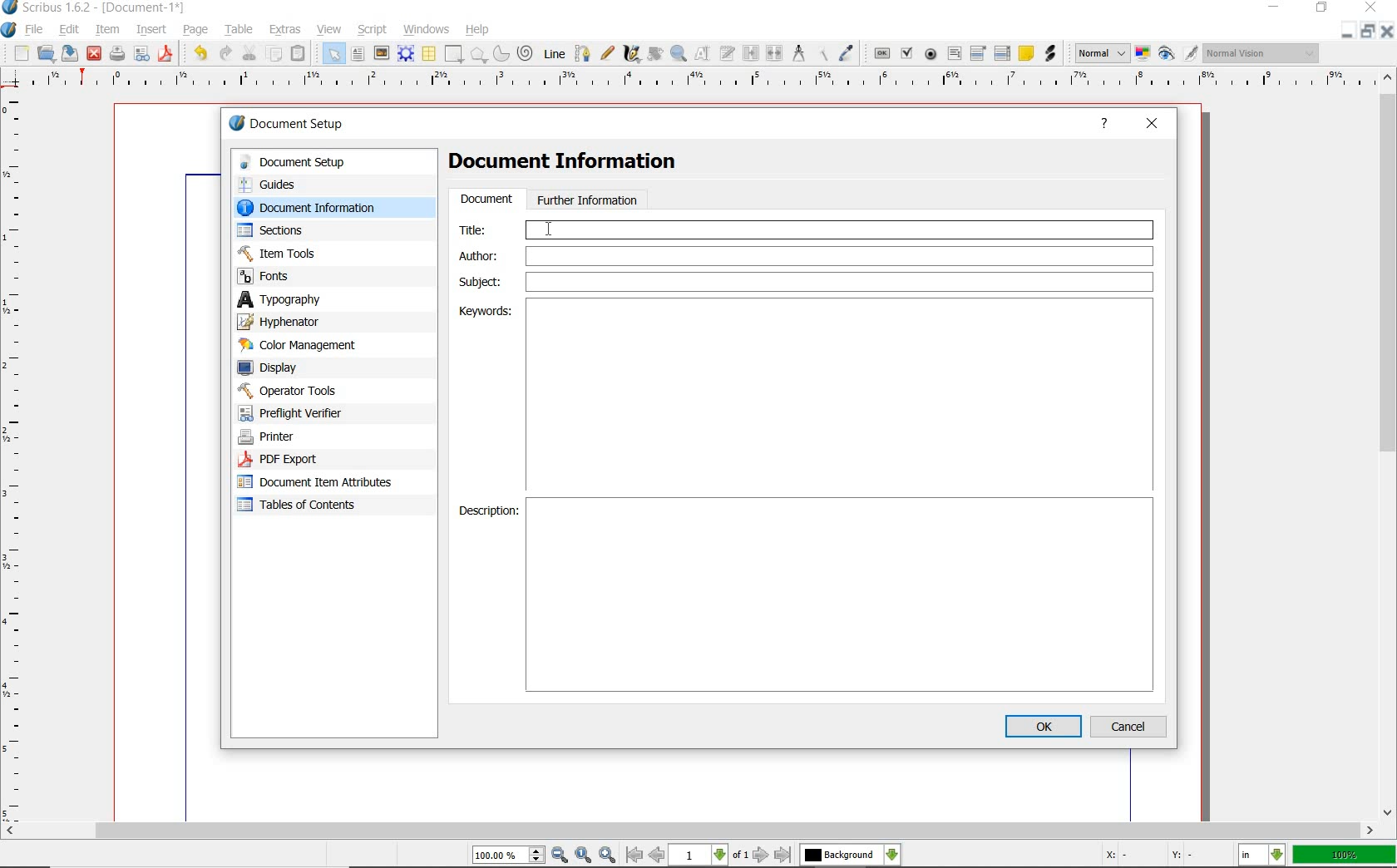 This screenshot has height=868, width=1397. What do you see at coordinates (315, 277) in the screenshot?
I see `fonts` at bounding box center [315, 277].